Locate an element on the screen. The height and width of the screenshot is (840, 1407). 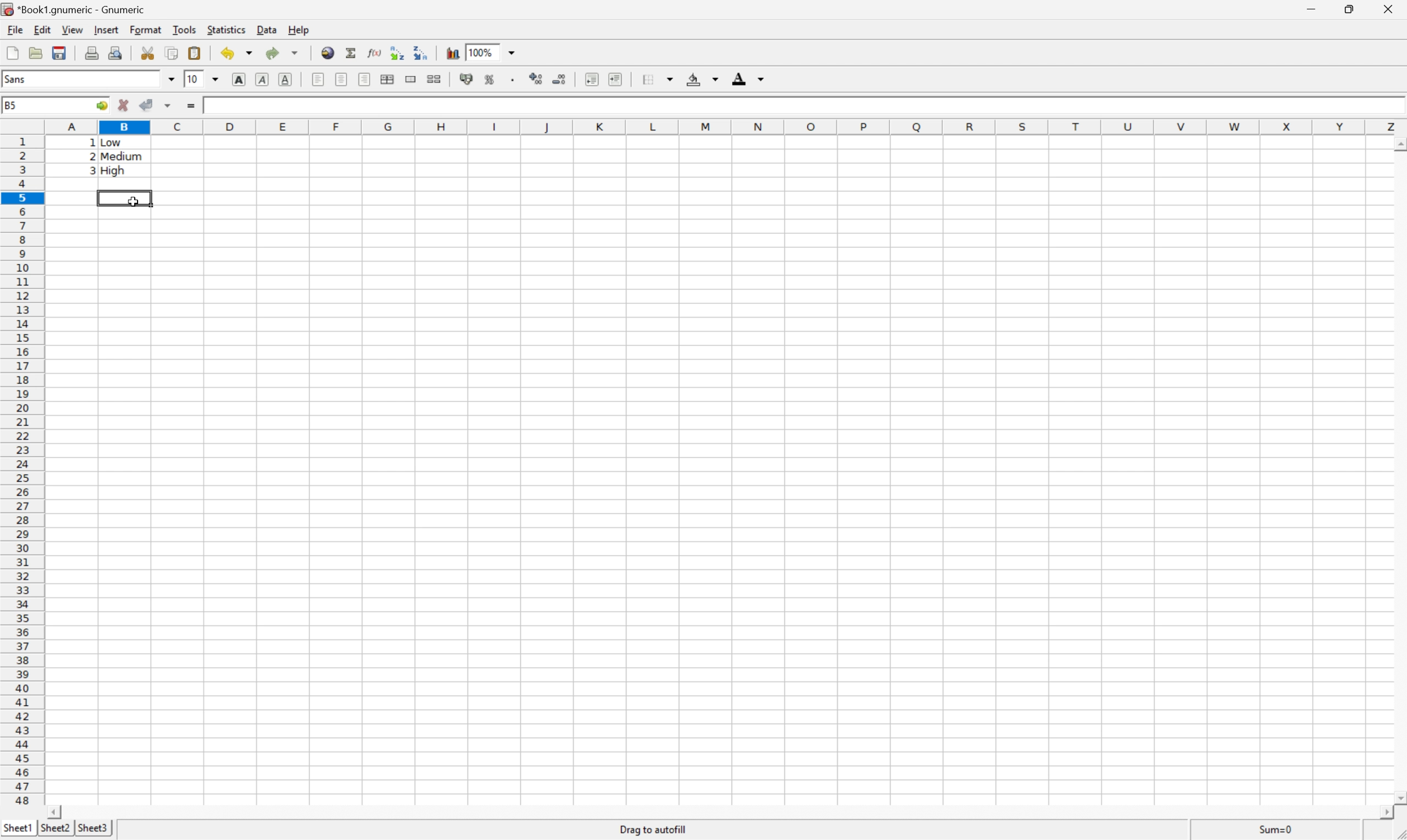
Medium is located at coordinates (122, 157).